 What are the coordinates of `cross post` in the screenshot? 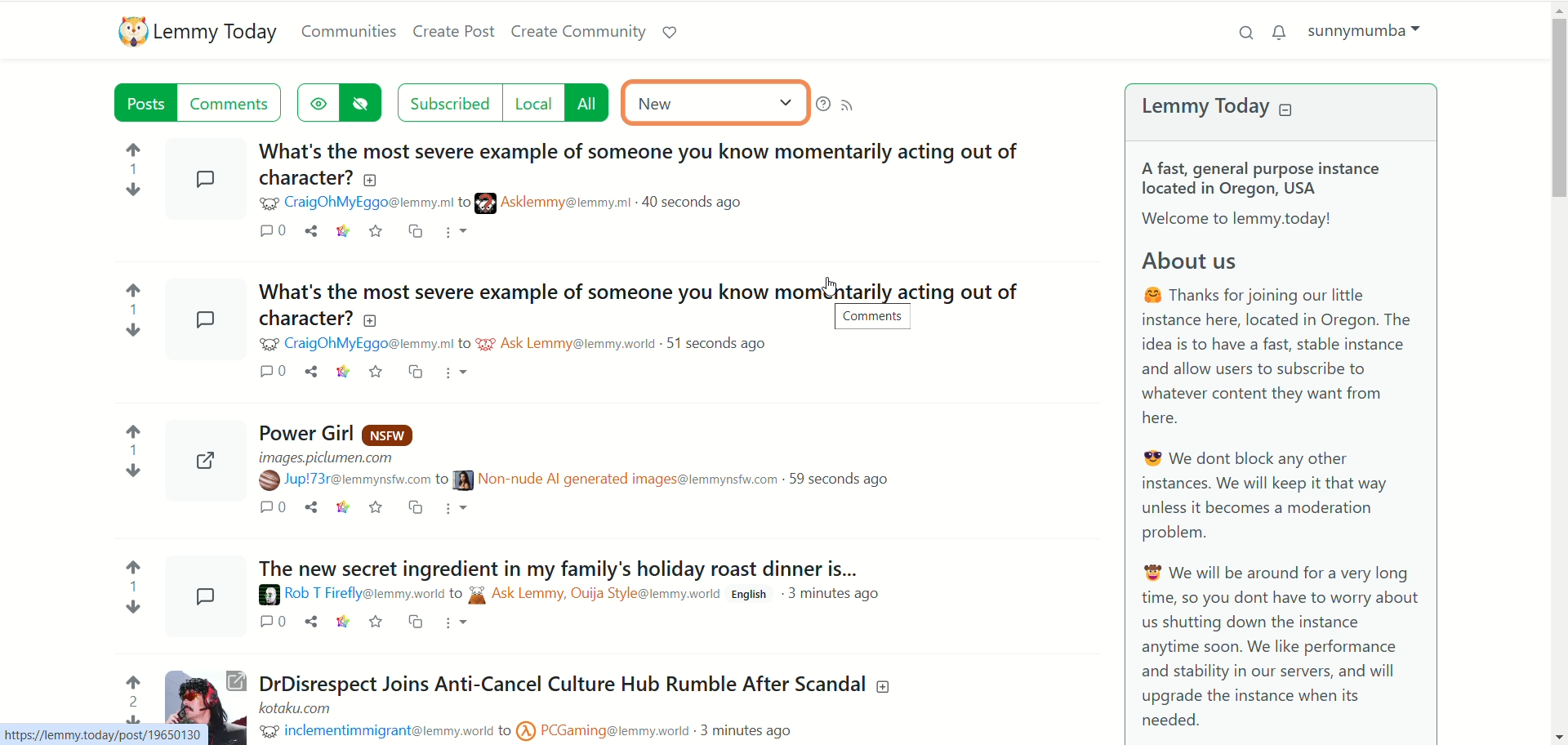 It's located at (424, 506).